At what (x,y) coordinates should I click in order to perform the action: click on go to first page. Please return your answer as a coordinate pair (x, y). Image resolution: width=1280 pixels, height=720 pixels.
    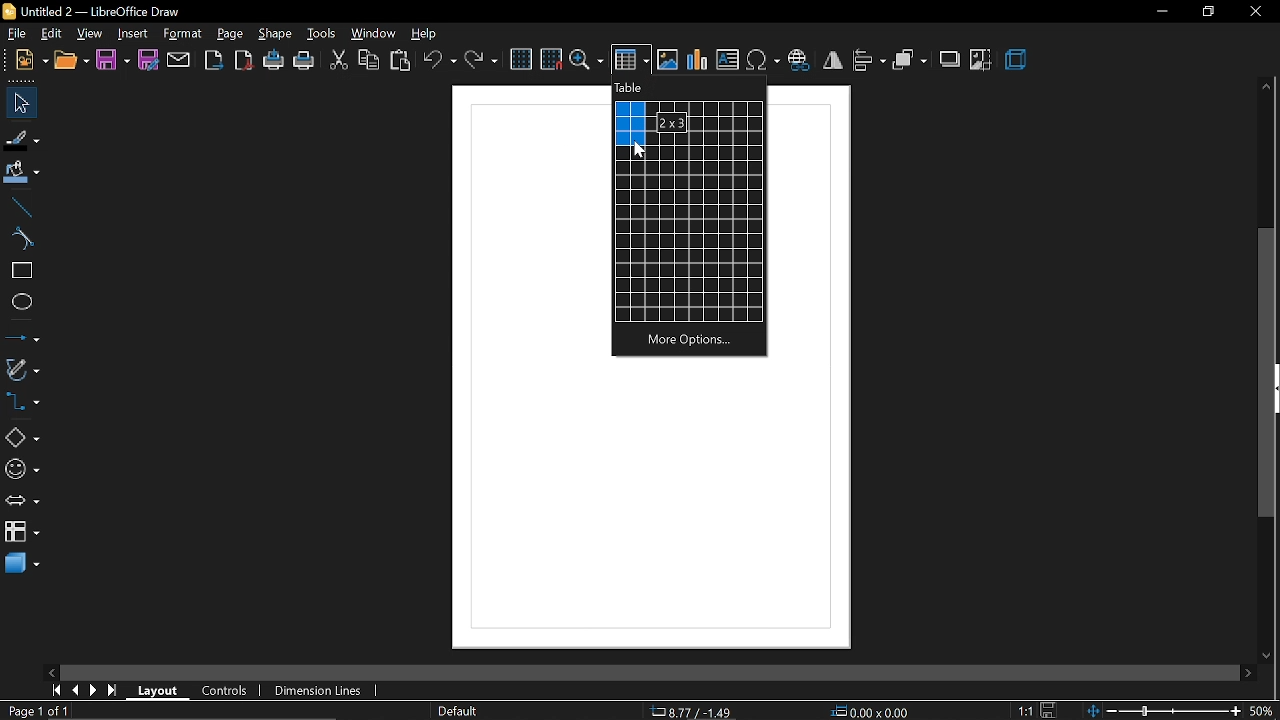
    Looking at the image, I should click on (58, 690).